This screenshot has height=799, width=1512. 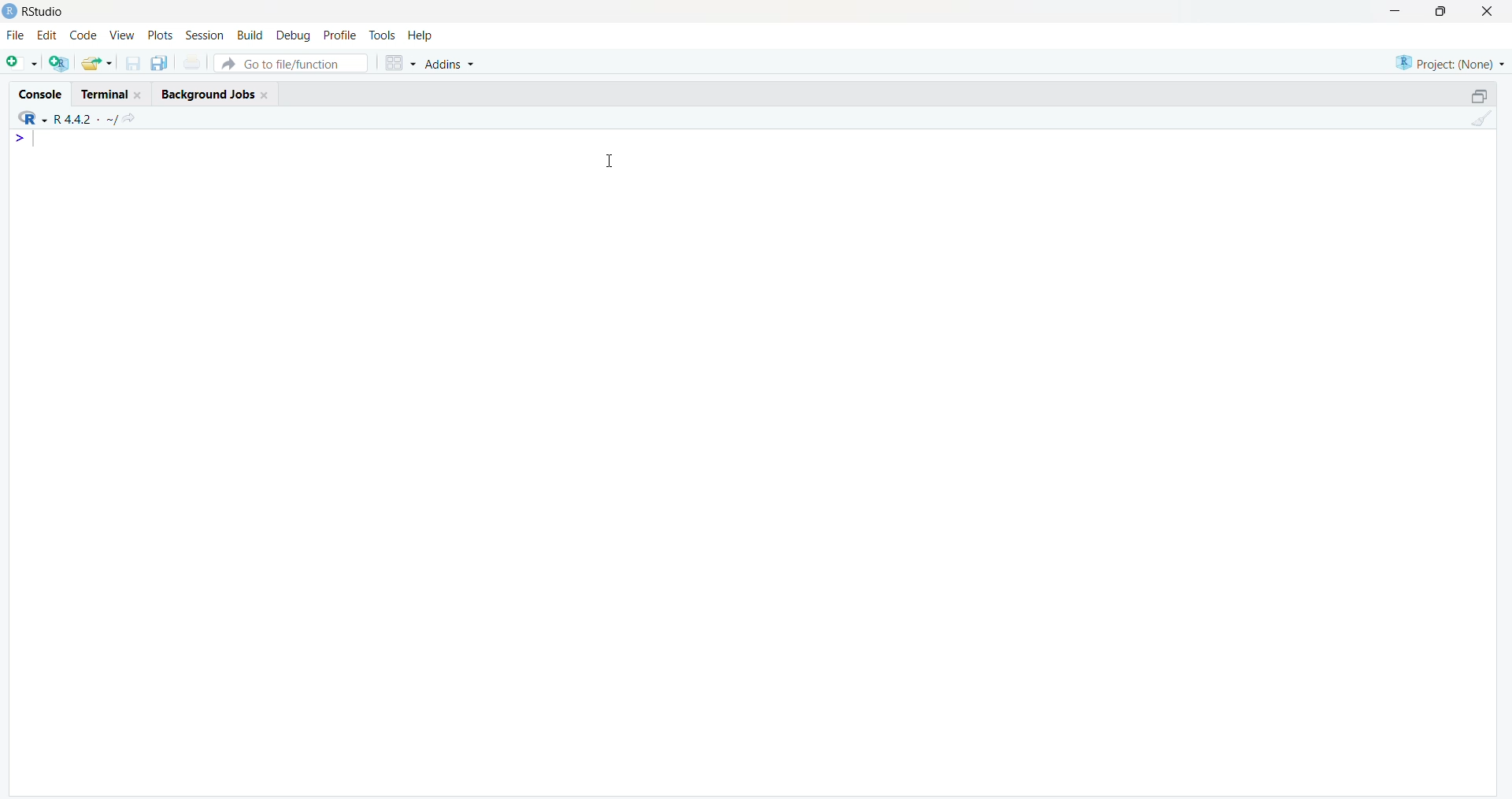 What do you see at coordinates (340, 35) in the screenshot?
I see `profile` at bounding box center [340, 35].